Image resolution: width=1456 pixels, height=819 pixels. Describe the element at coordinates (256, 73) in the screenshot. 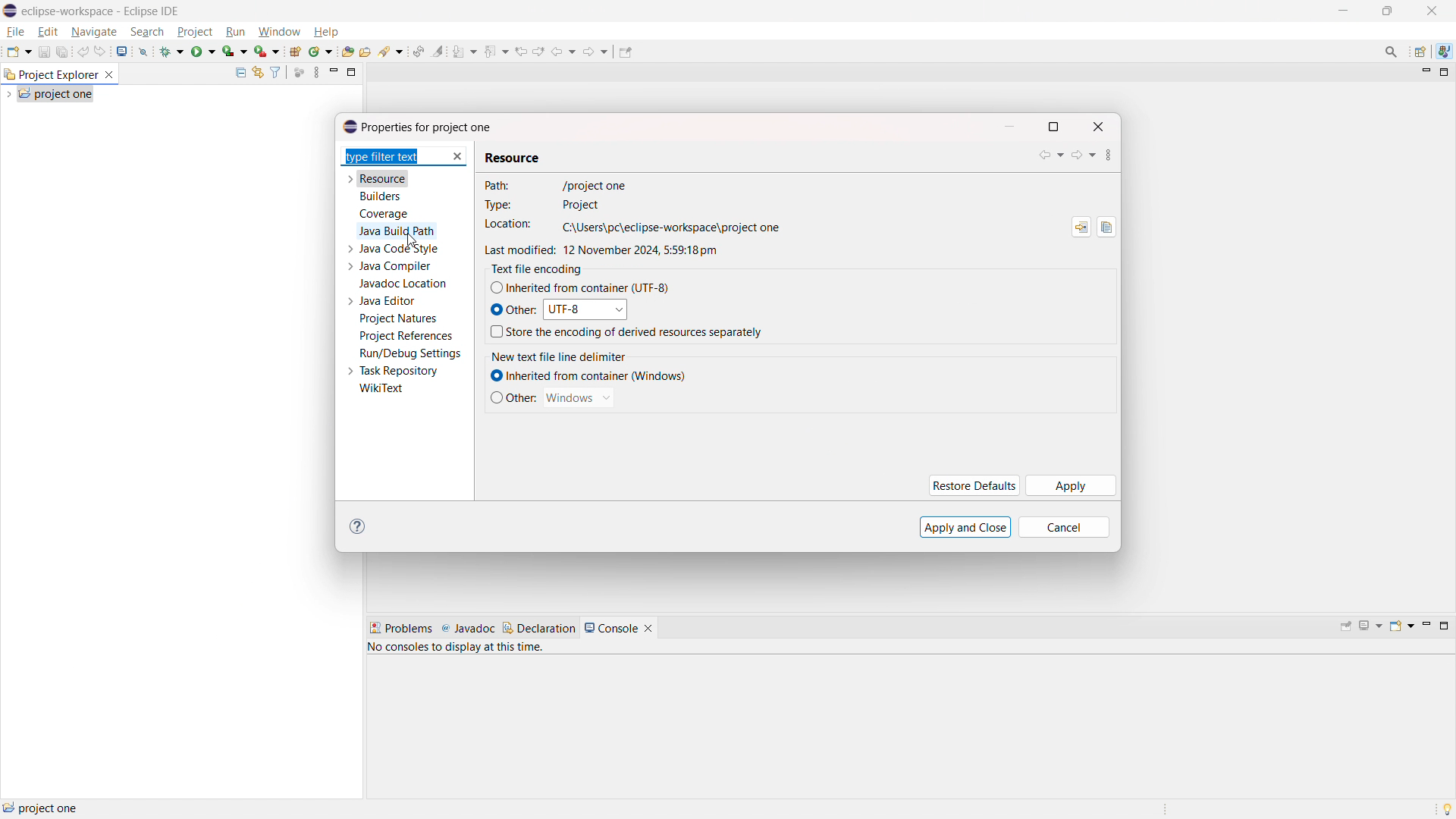

I see `link to editor` at that location.